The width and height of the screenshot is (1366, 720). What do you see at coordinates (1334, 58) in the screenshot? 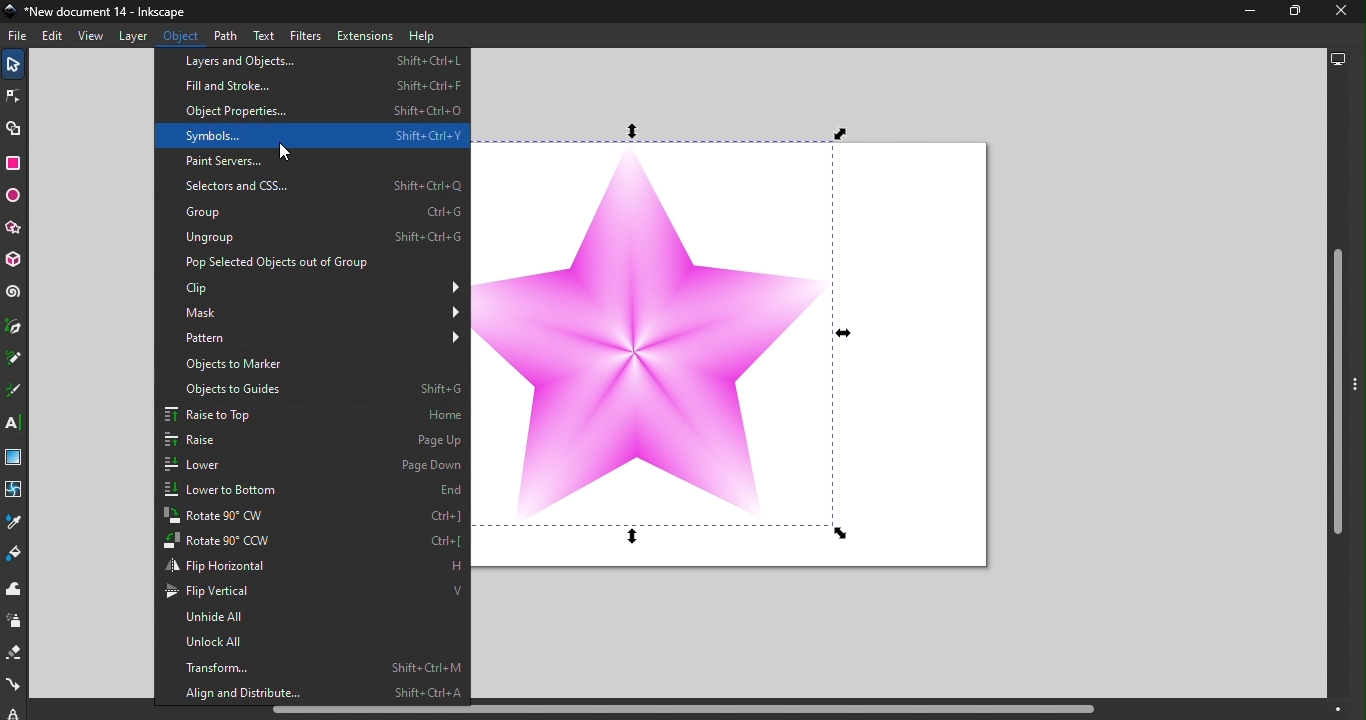
I see `Display options` at bounding box center [1334, 58].